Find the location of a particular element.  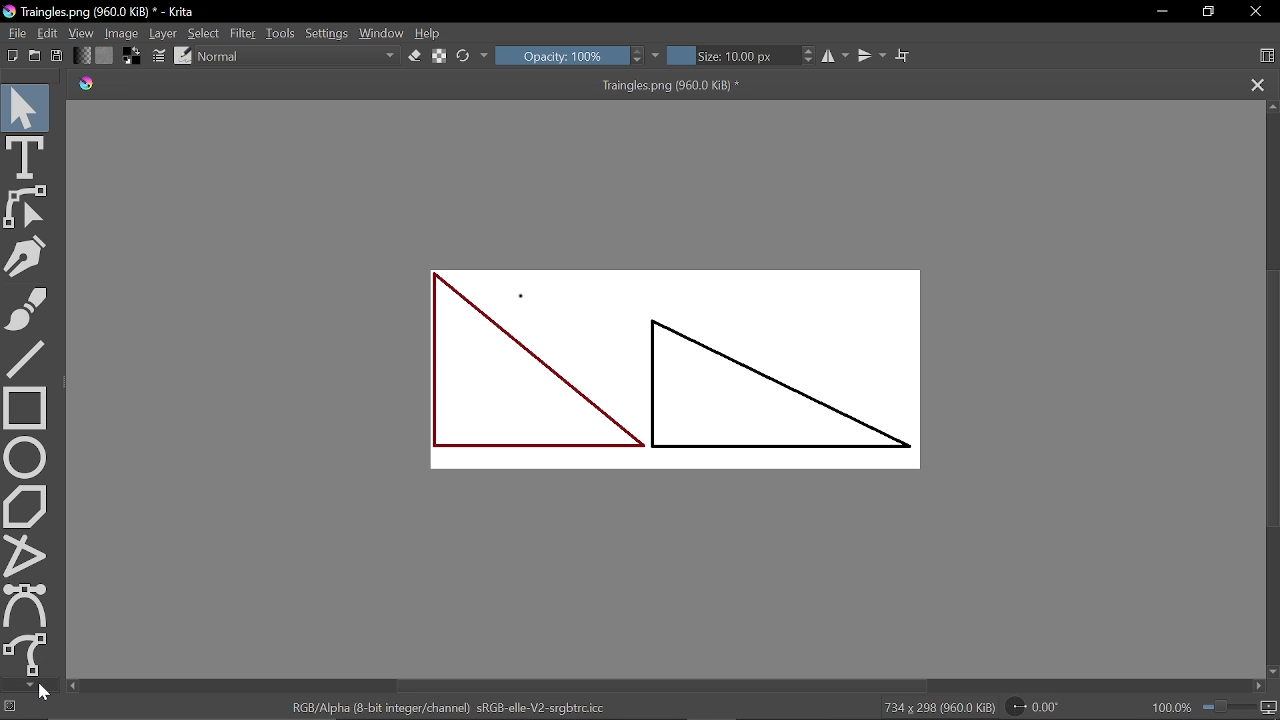

Move right is located at coordinates (1259, 685).